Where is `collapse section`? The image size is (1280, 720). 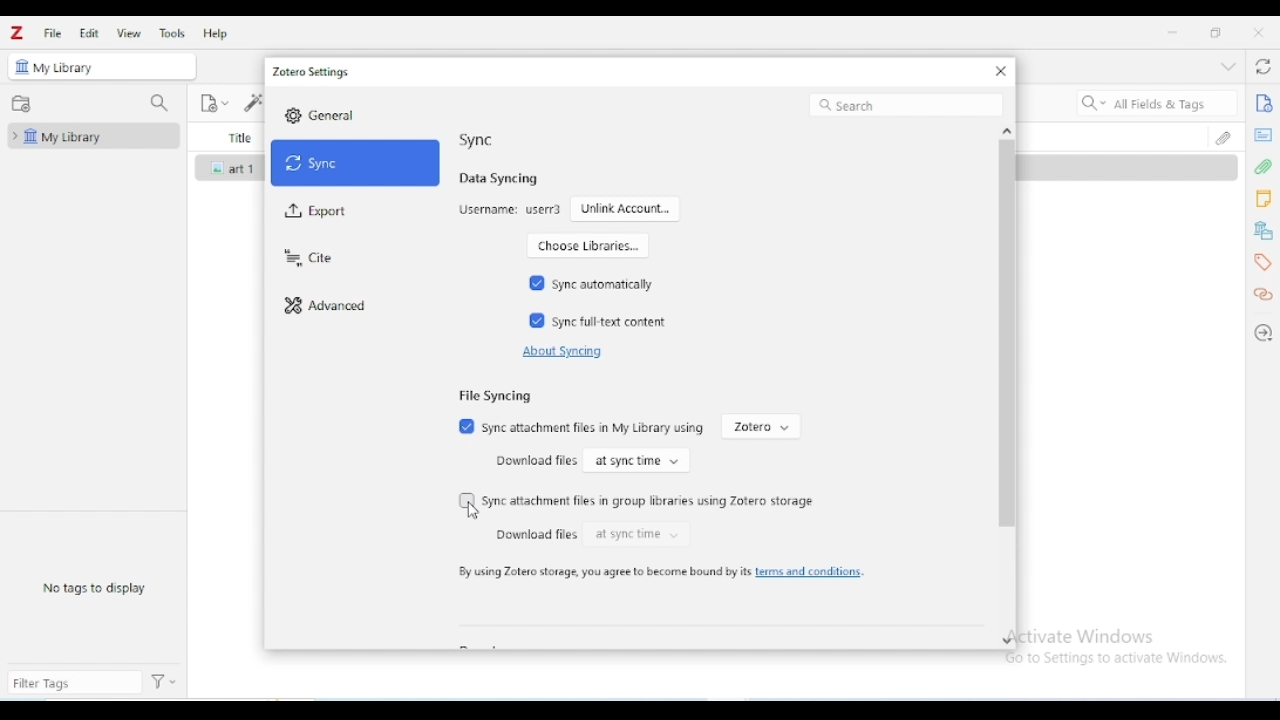
collapse section is located at coordinates (1228, 66).